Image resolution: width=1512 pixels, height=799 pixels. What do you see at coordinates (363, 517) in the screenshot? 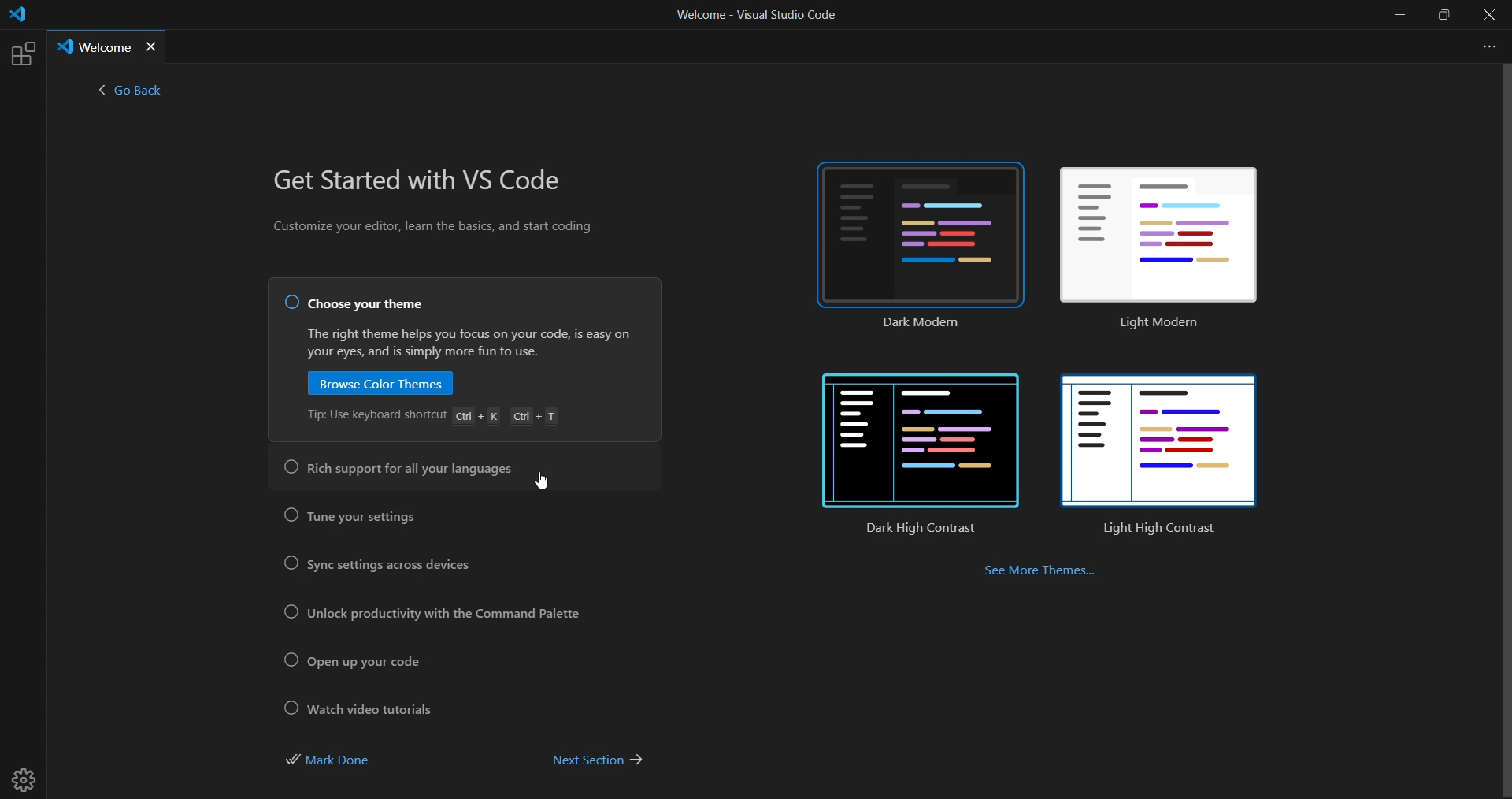
I see `tune your setting` at bounding box center [363, 517].